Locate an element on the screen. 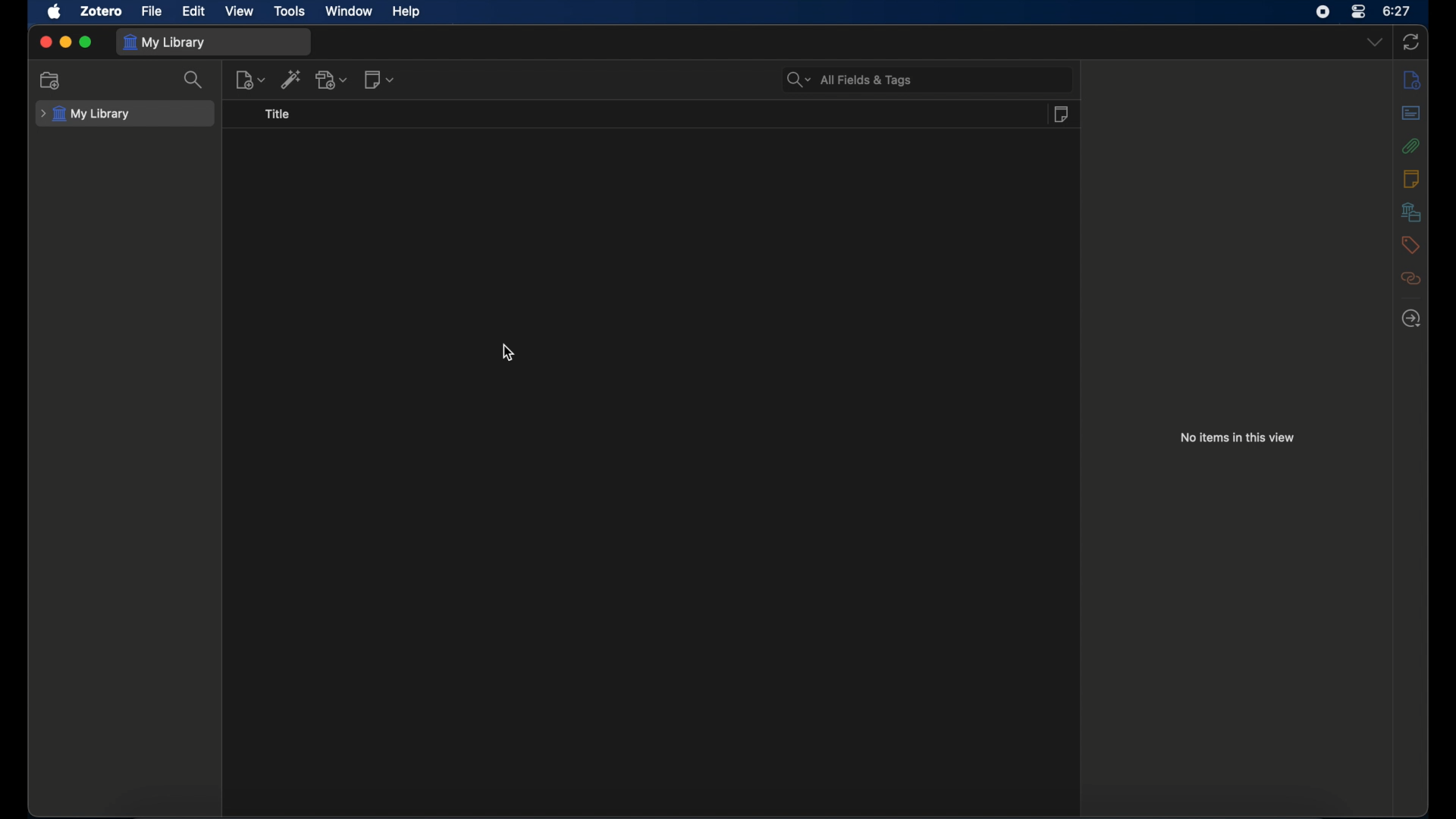  info is located at coordinates (1412, 80).